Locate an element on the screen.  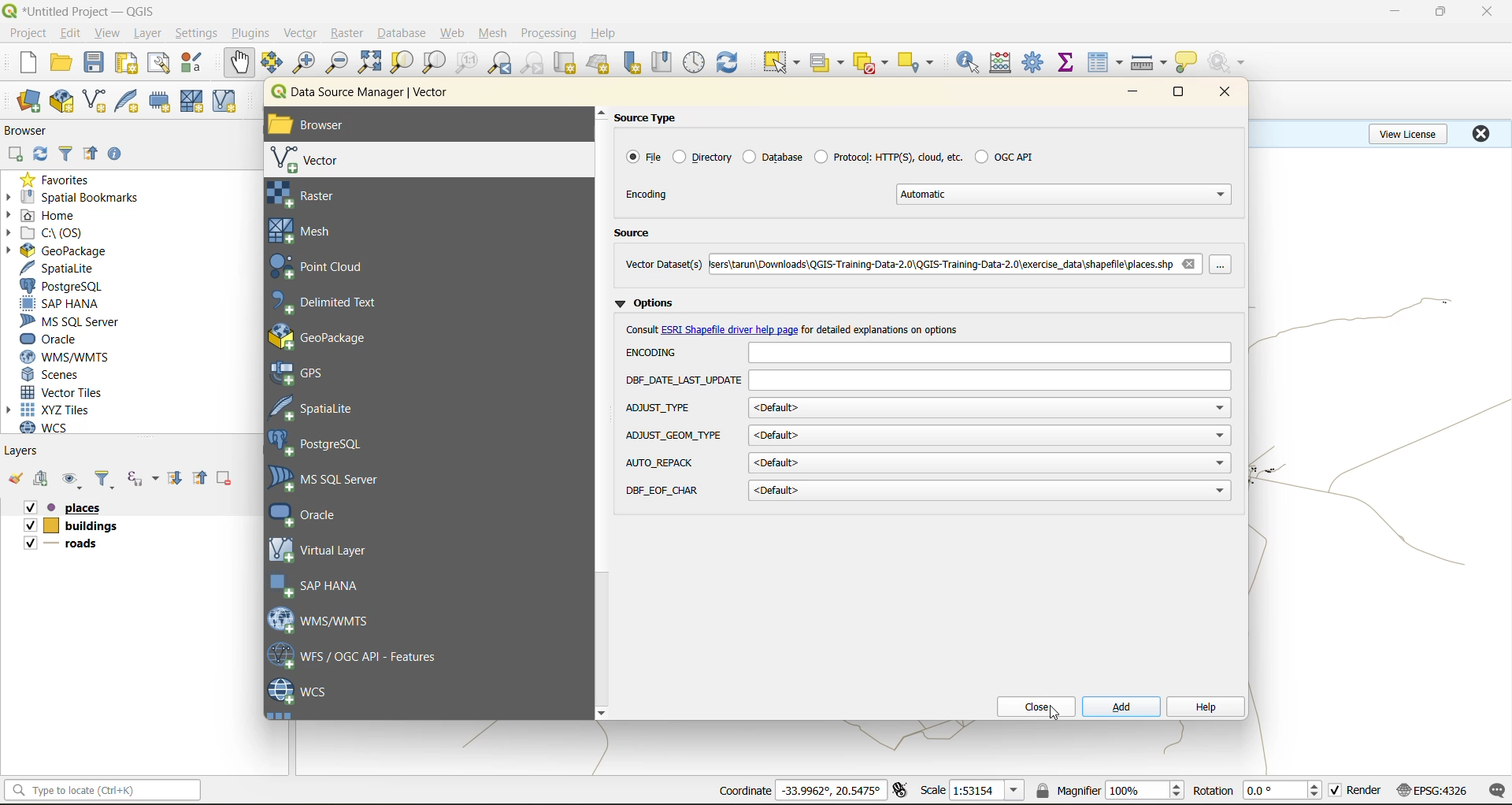
toggle extents is located at coordinates (902, 789).